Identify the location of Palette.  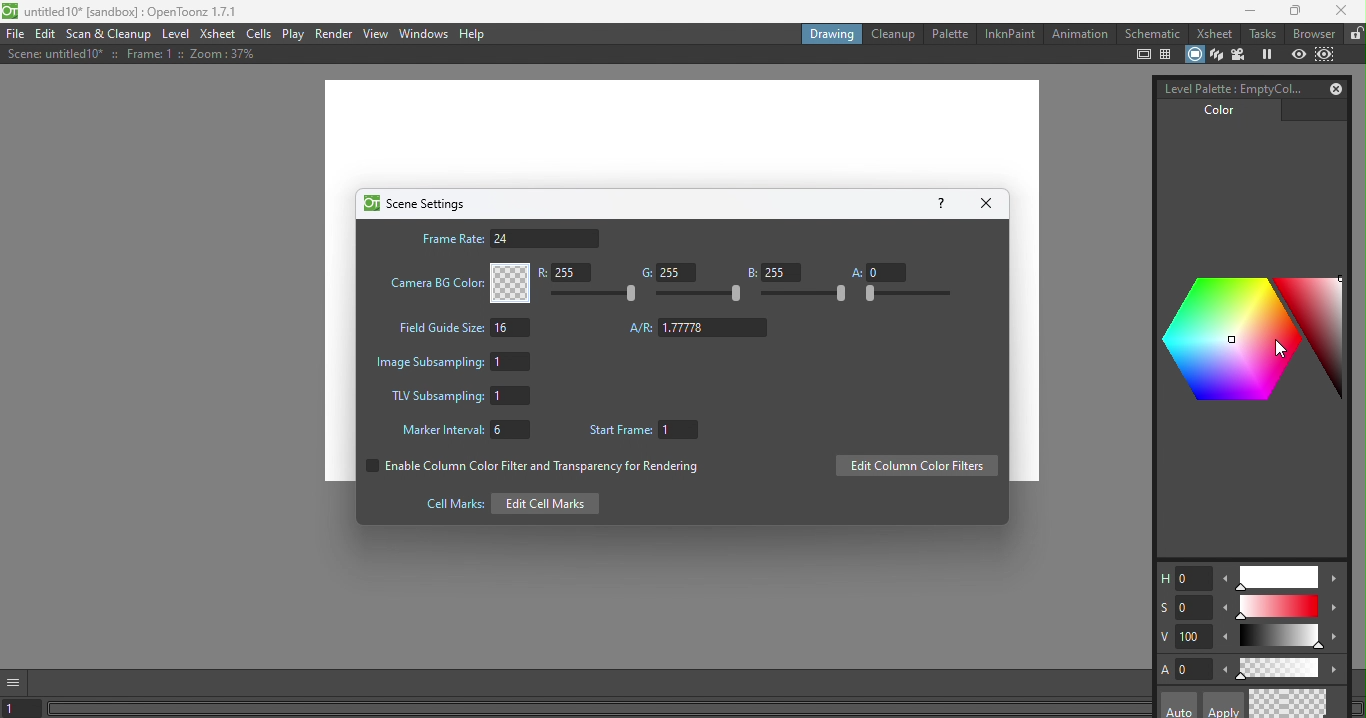
(949, 33).